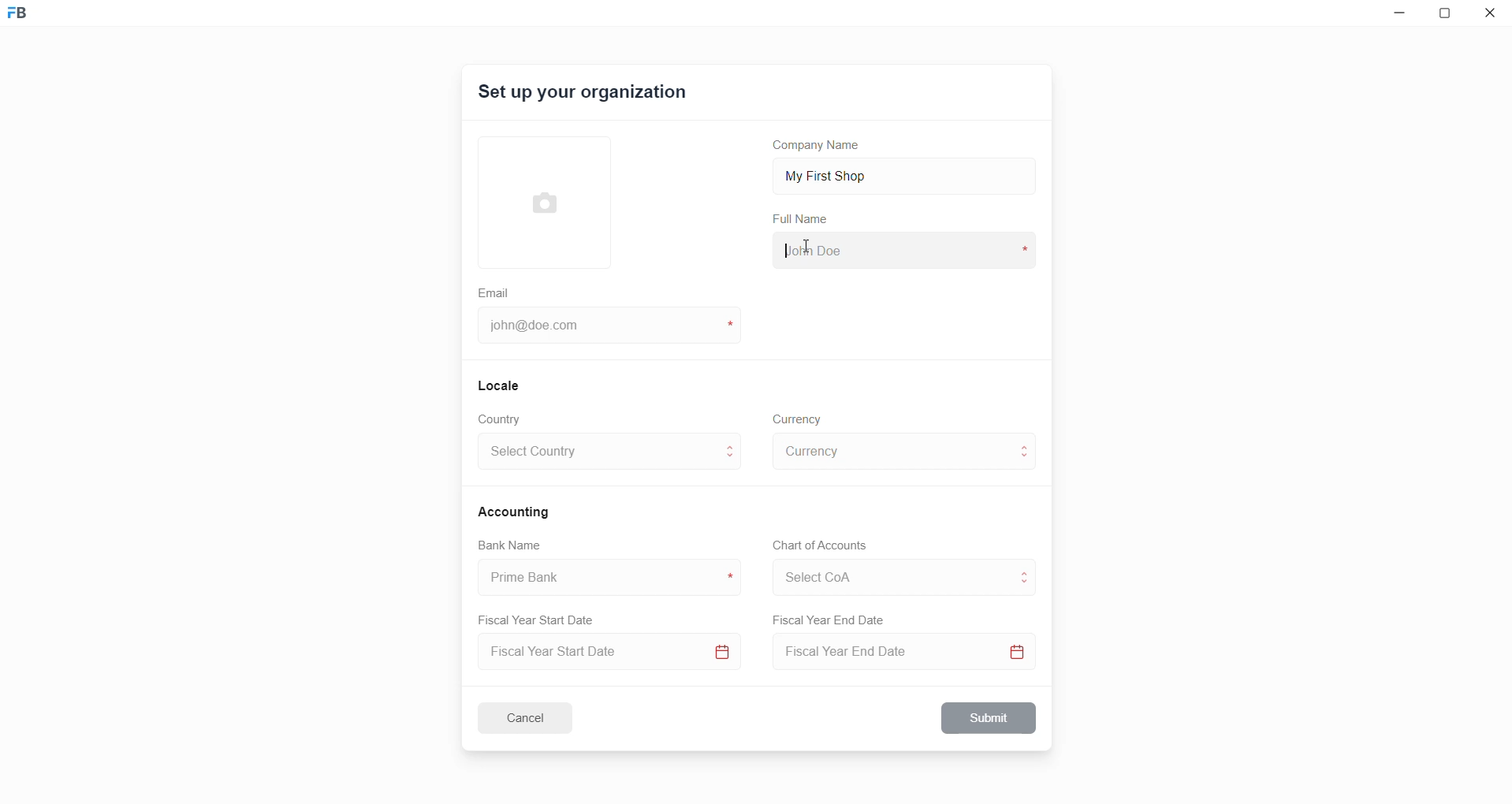 Image resolution: width=1512 pixels, height=804 pixels. I want to click on Locale, so click(500, 385).